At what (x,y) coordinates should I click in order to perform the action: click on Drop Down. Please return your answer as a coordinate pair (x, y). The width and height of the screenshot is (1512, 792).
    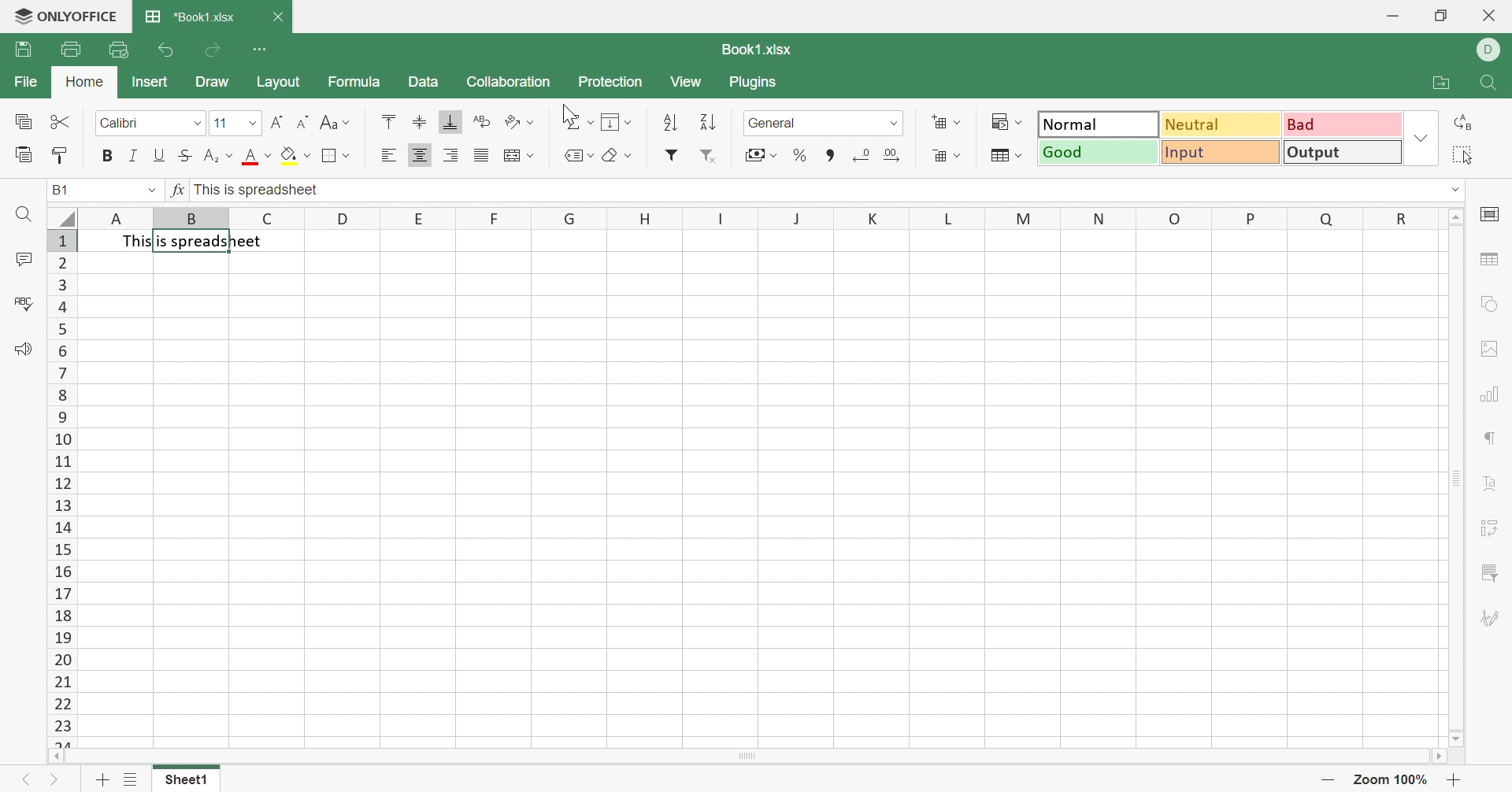
    Looking at the image, I should click on (348, 122).